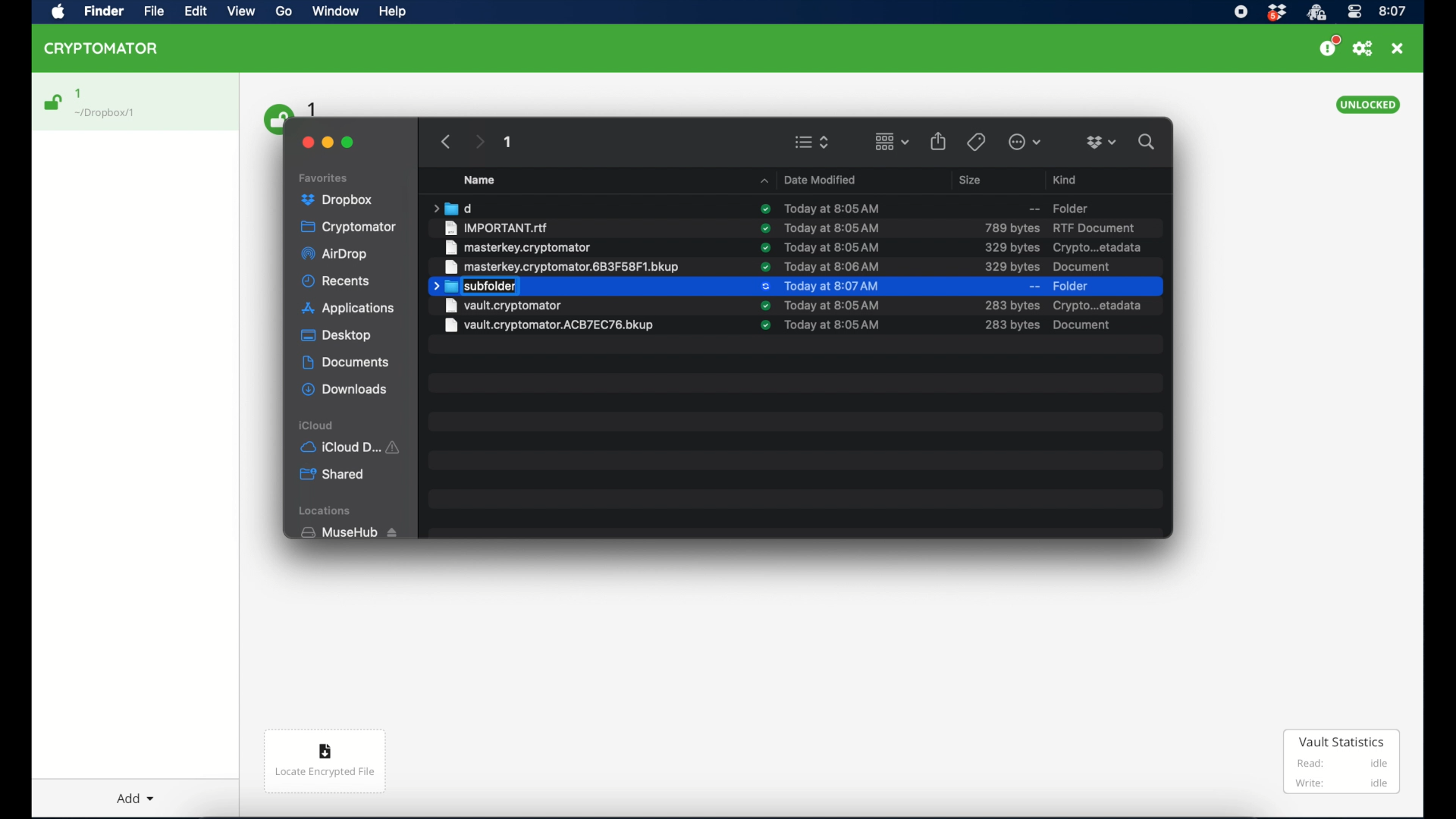 Image resolution: width=1456 pixels, height=819 pixels. I want to click on file name, so click(497, 227).